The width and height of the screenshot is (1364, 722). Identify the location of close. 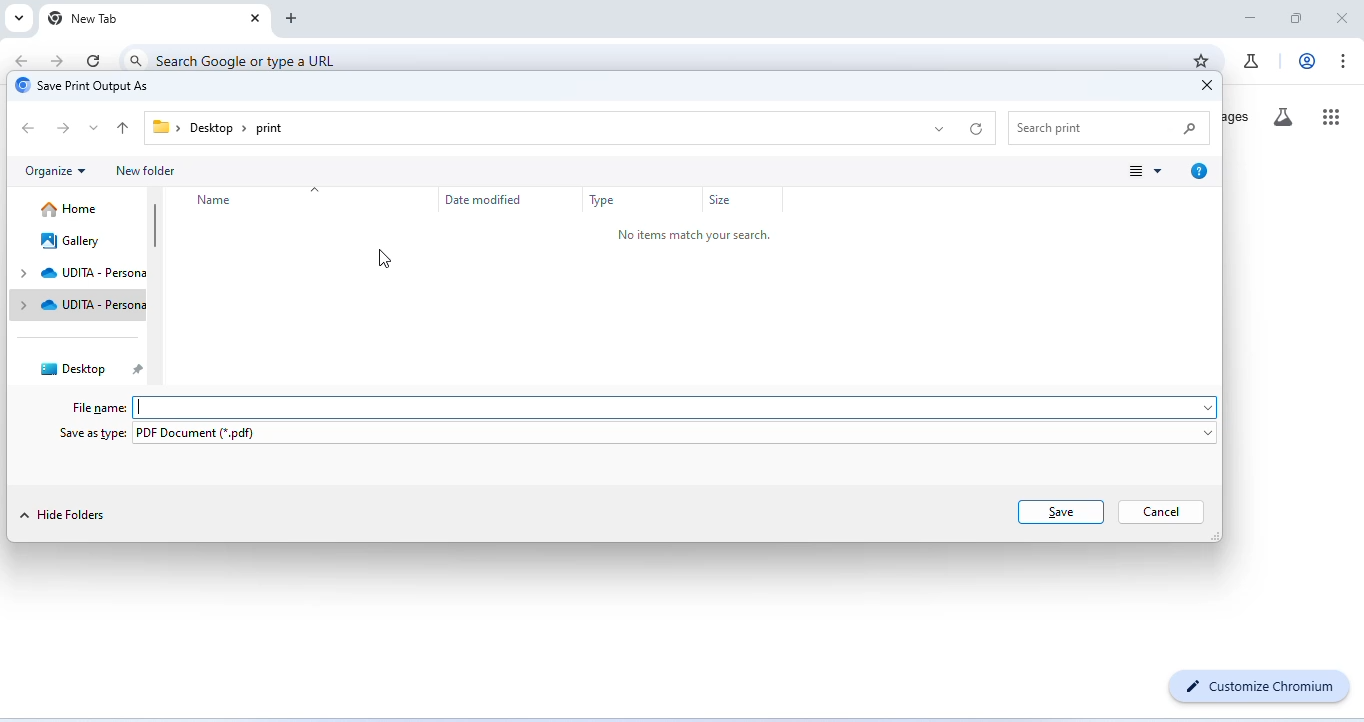
(1341, 16).